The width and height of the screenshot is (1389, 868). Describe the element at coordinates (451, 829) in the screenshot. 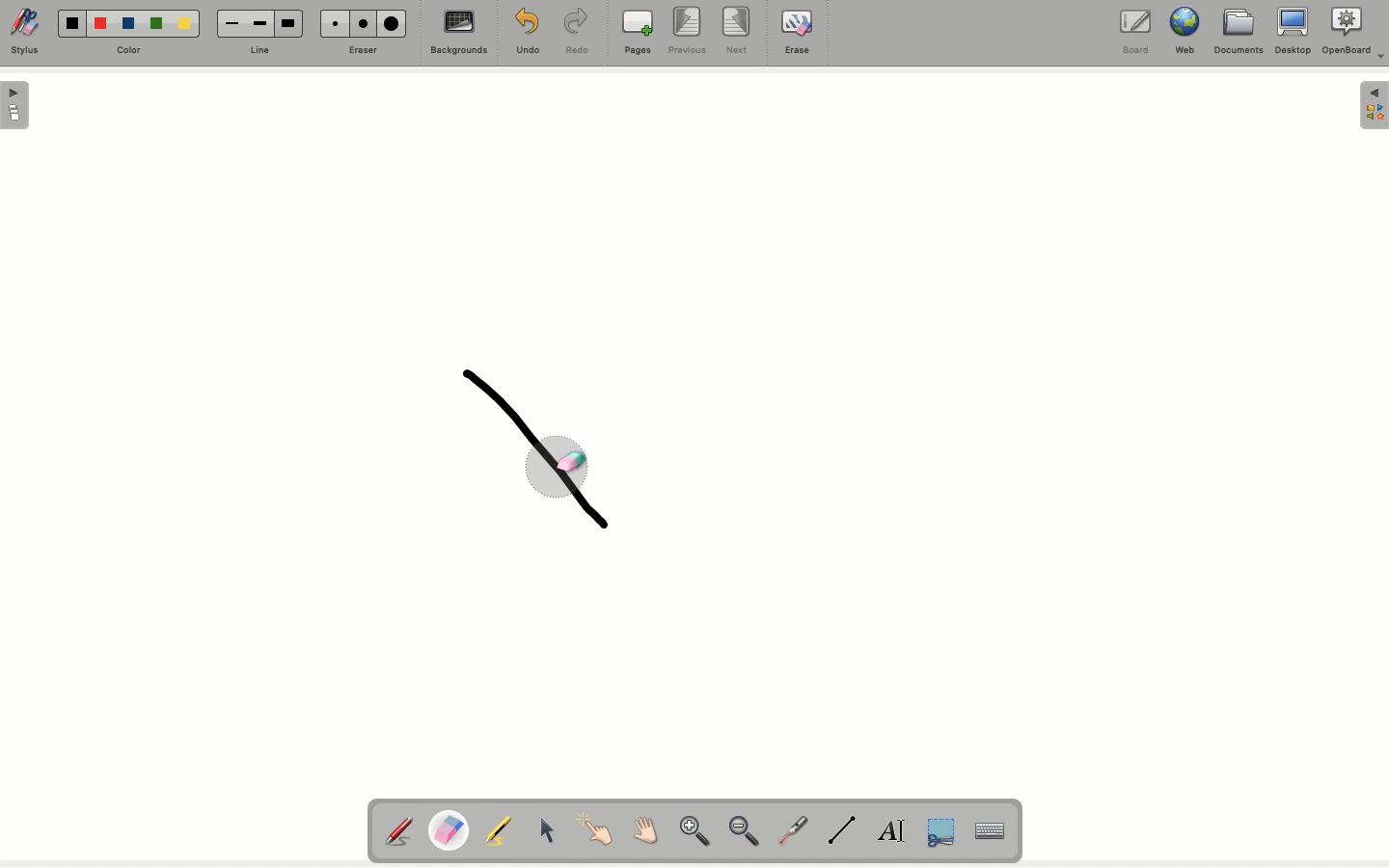

I see `Eraser` at that location.